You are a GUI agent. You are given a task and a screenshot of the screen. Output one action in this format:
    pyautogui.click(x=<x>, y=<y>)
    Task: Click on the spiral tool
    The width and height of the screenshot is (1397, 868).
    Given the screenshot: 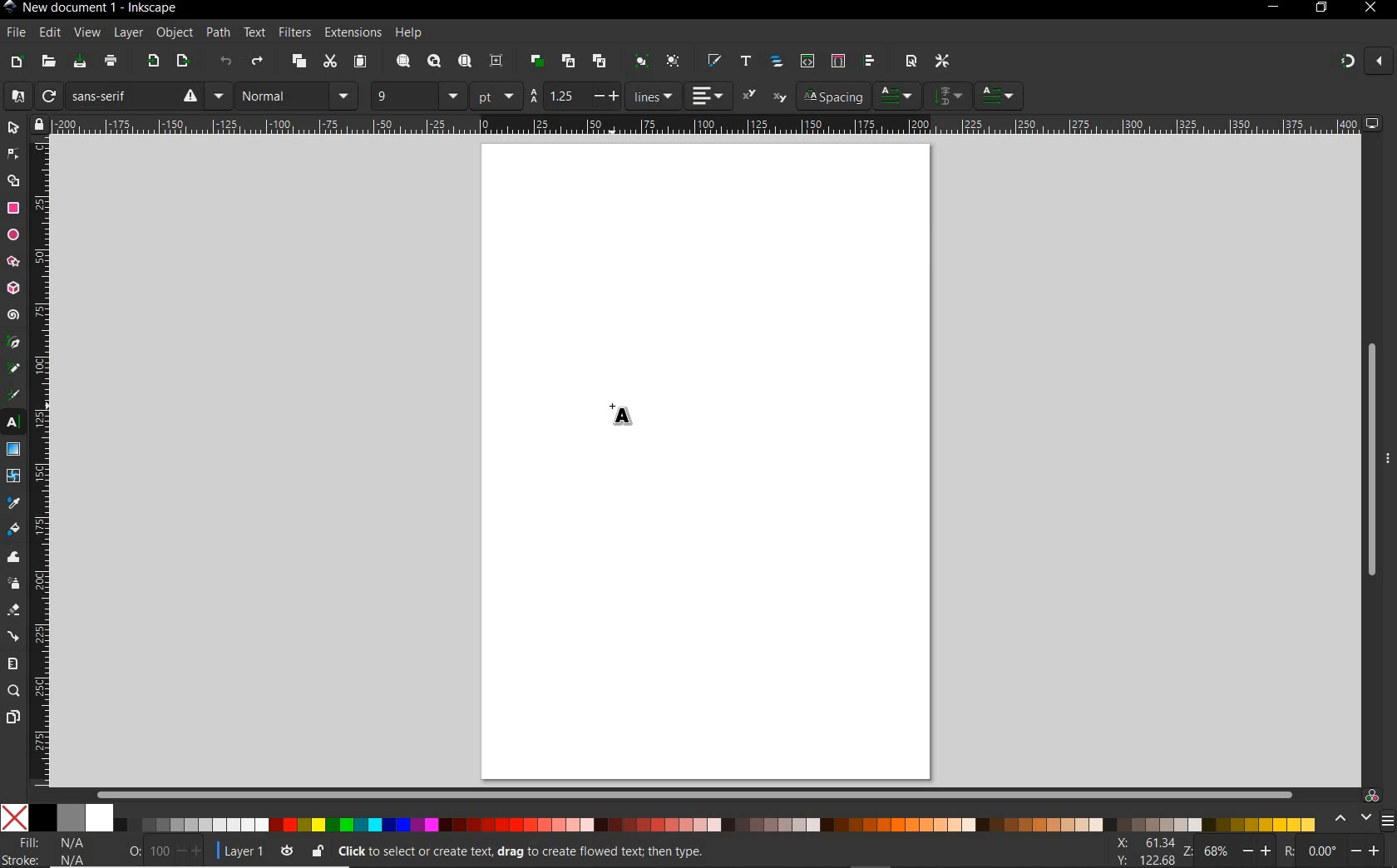 What is the action you would take?
    pyautogui.click(x=13, y=317)
    